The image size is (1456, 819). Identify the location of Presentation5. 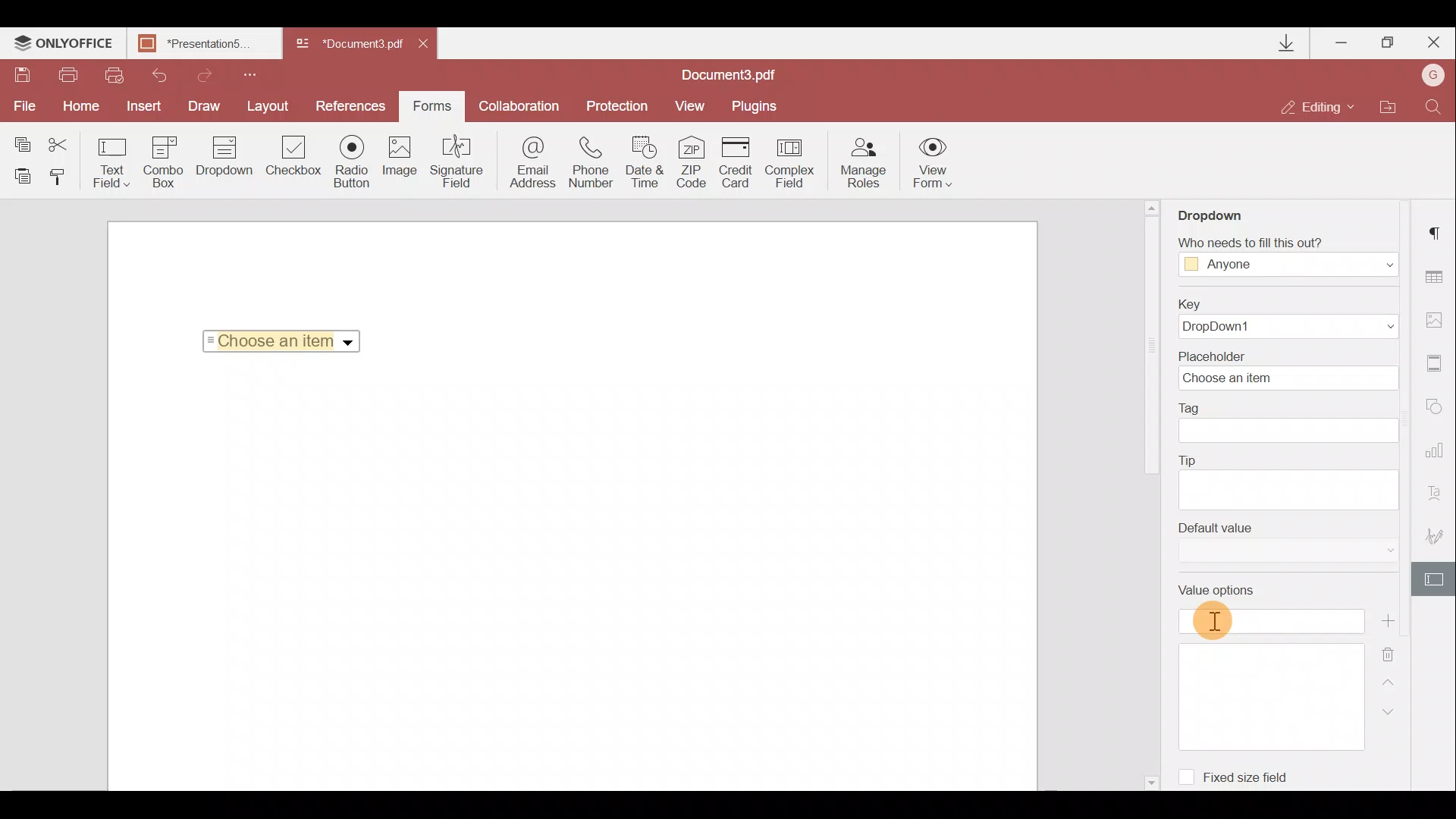
(201, 45).